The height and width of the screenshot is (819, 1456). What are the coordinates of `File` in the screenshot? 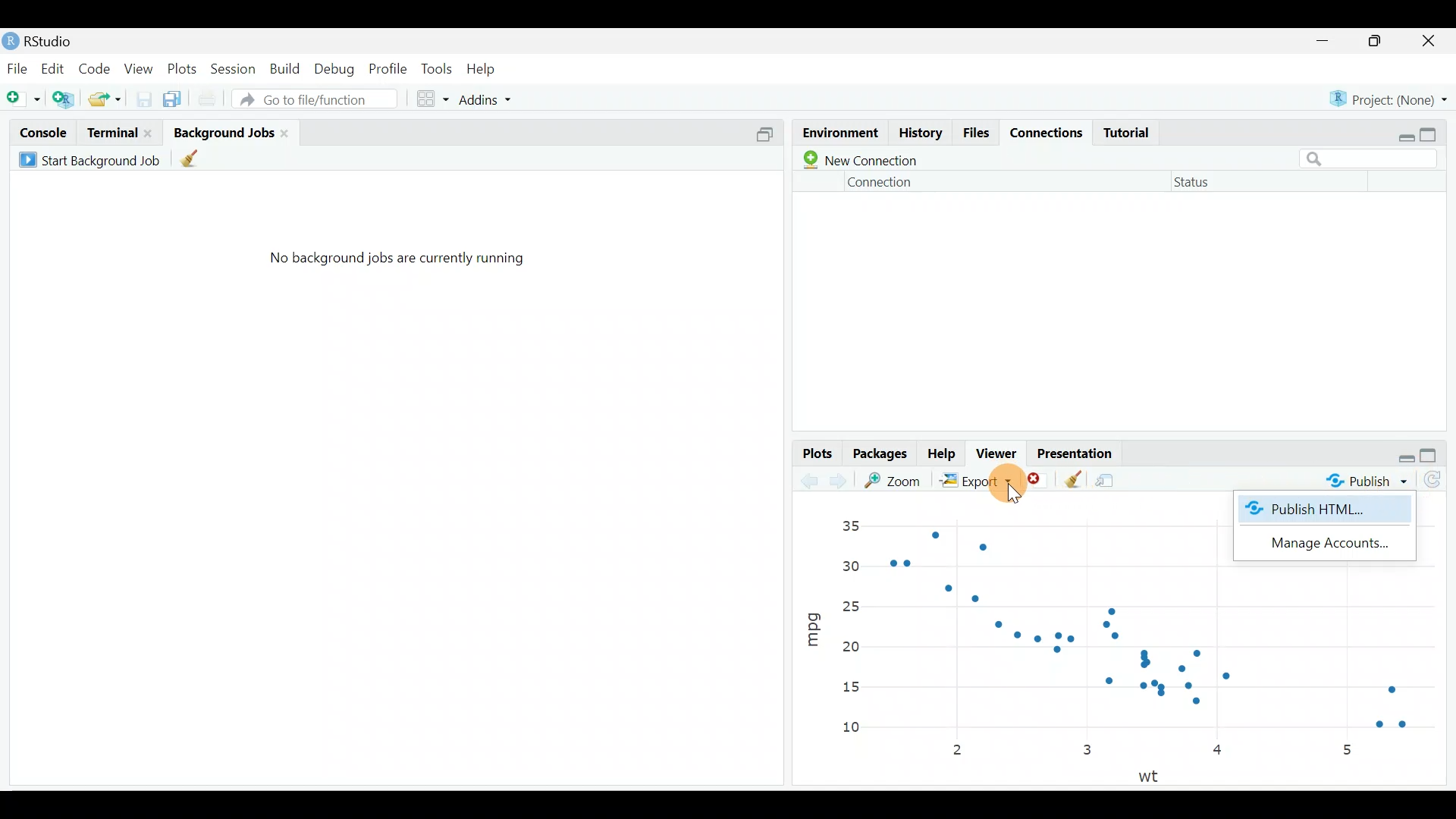 It's located at (17, 67).